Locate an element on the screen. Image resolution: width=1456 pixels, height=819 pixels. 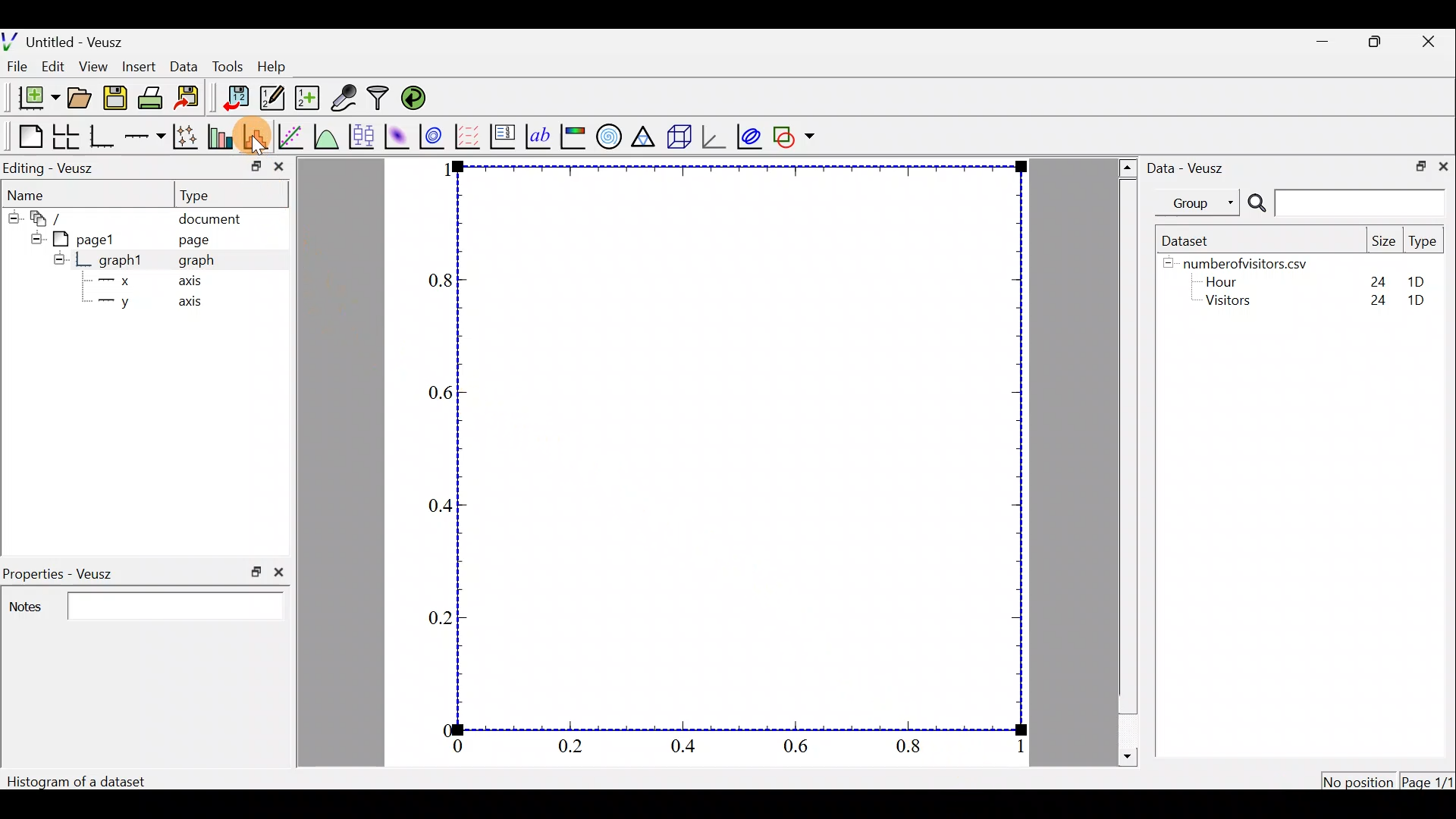
open a document is located at coordinates (78, 98).